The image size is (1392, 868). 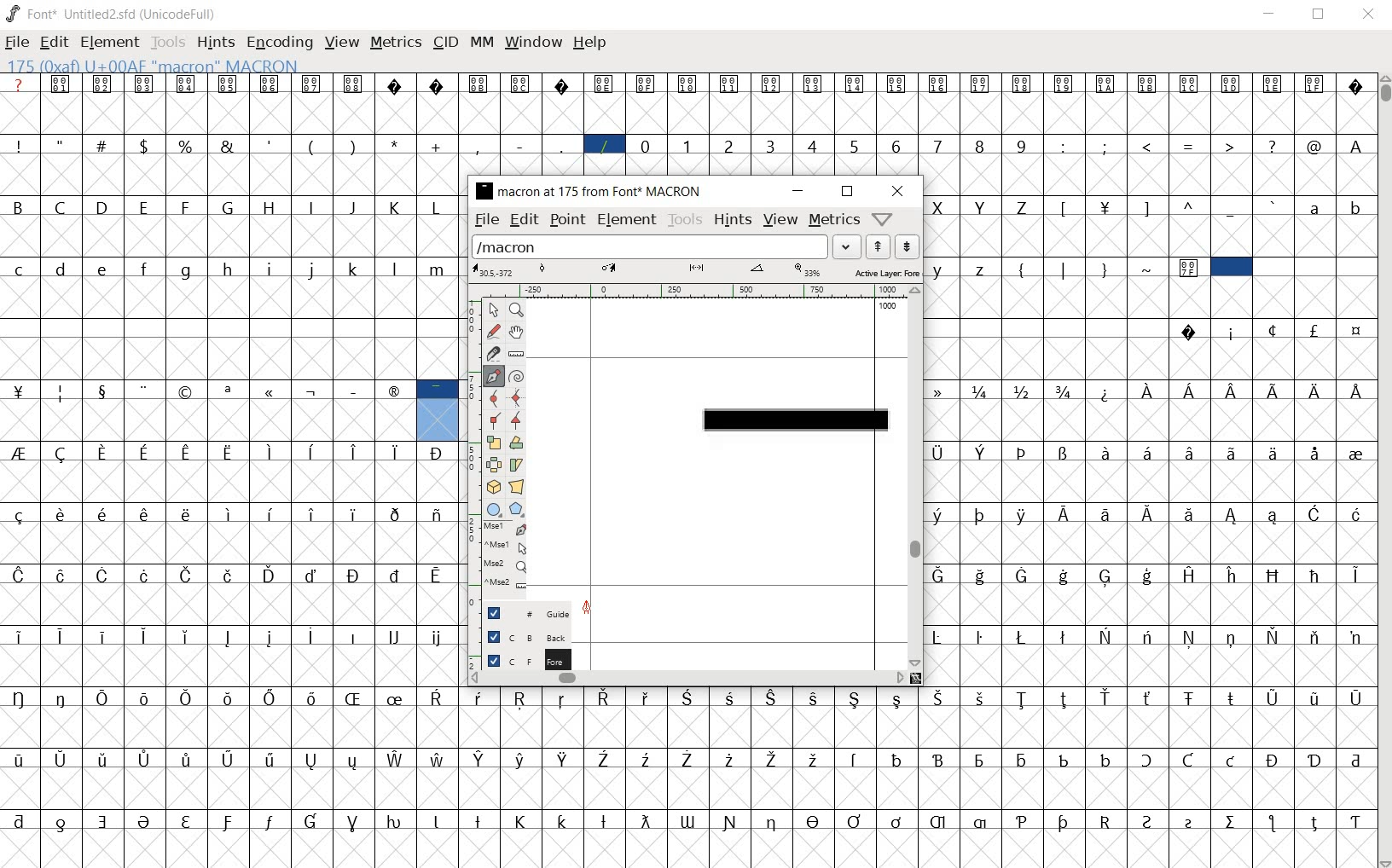 What do you see at coordinates (899, 820) in the screenshot?
I see `Symbol` at bounding box center [899, 820].